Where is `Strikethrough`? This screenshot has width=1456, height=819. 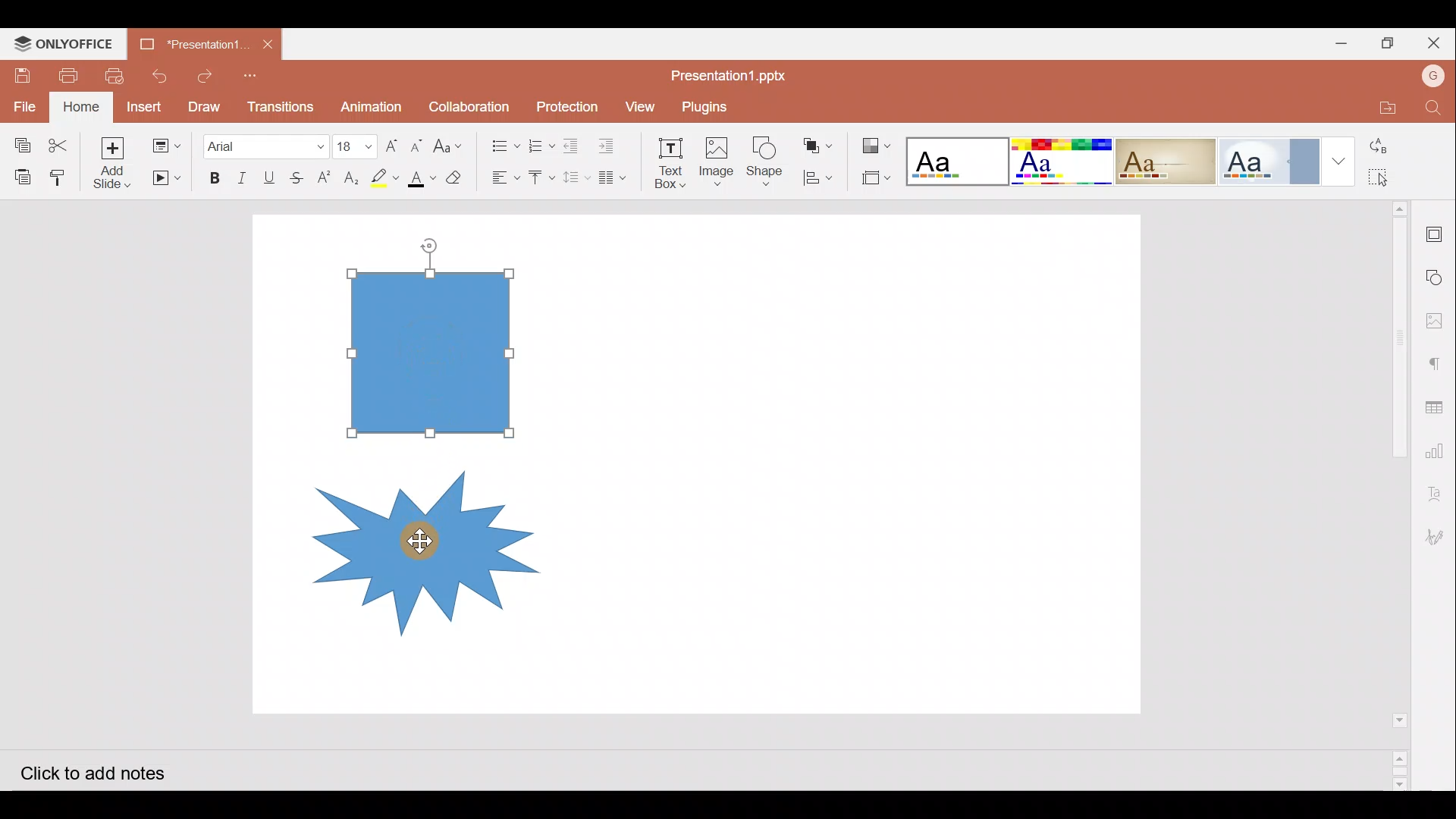 Strikethrough is located at coordinates (300, 175).